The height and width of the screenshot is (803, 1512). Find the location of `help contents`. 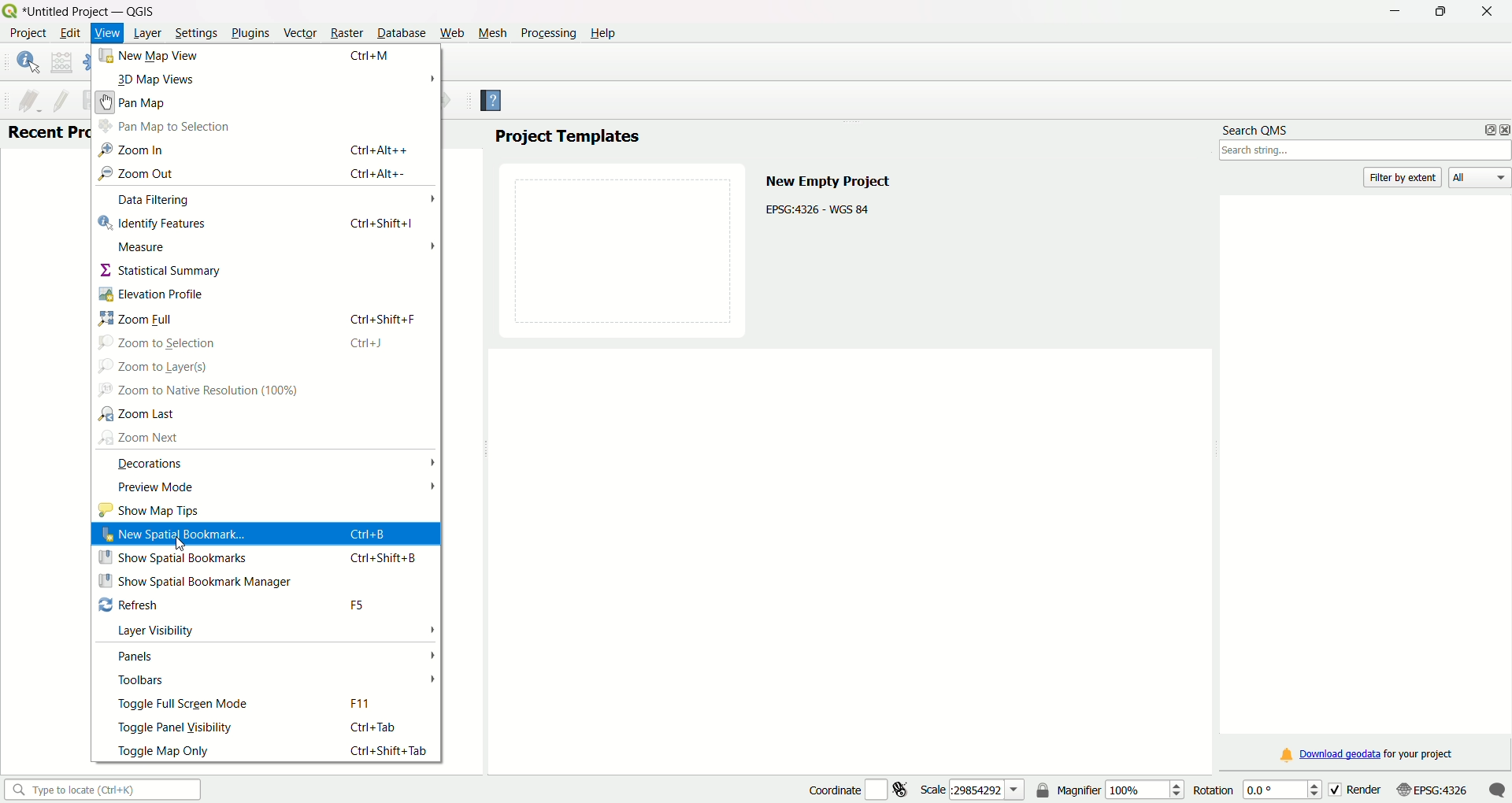

help contents is located at coordinates (492, 102).